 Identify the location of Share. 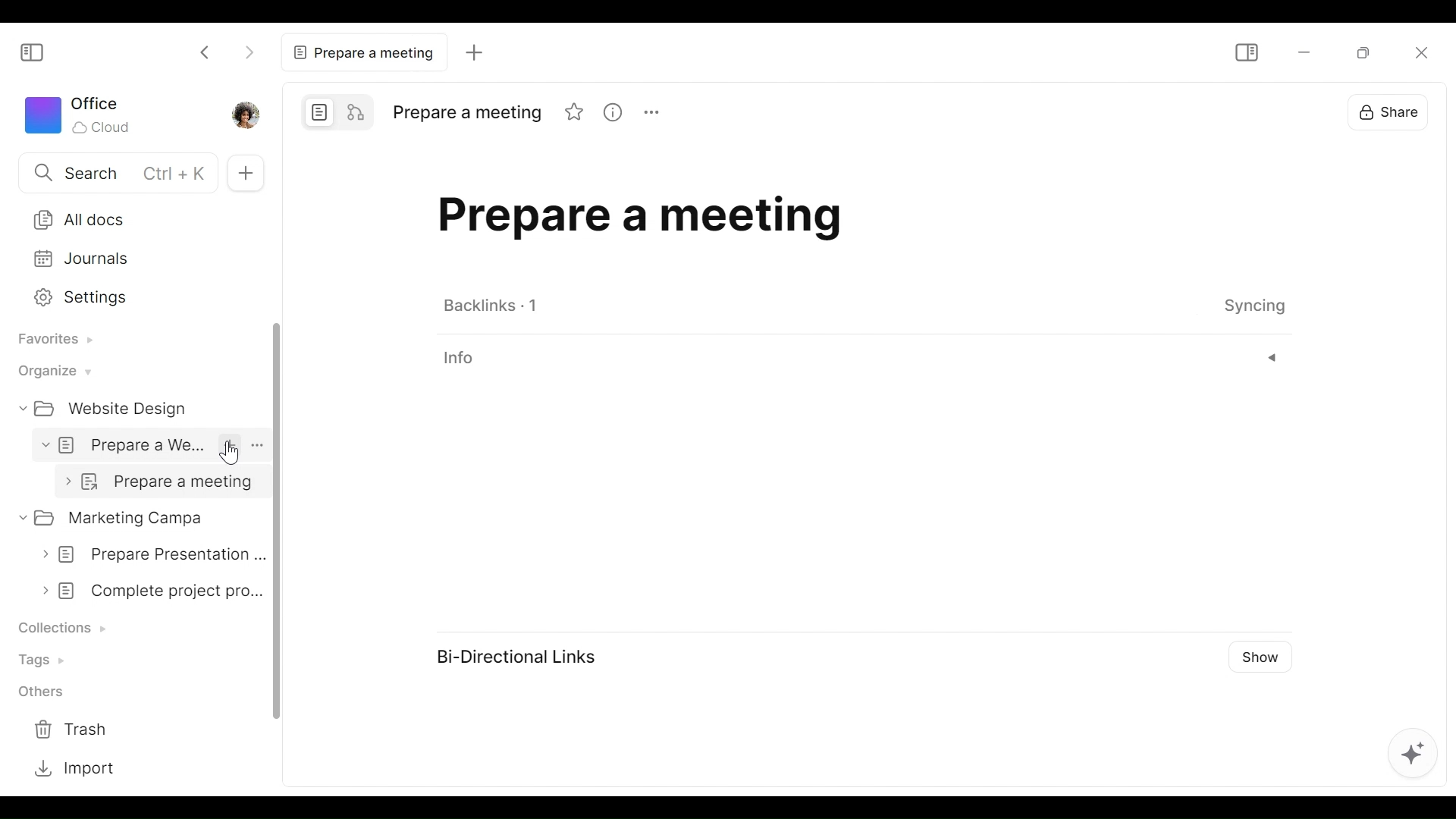
(1390, 111).